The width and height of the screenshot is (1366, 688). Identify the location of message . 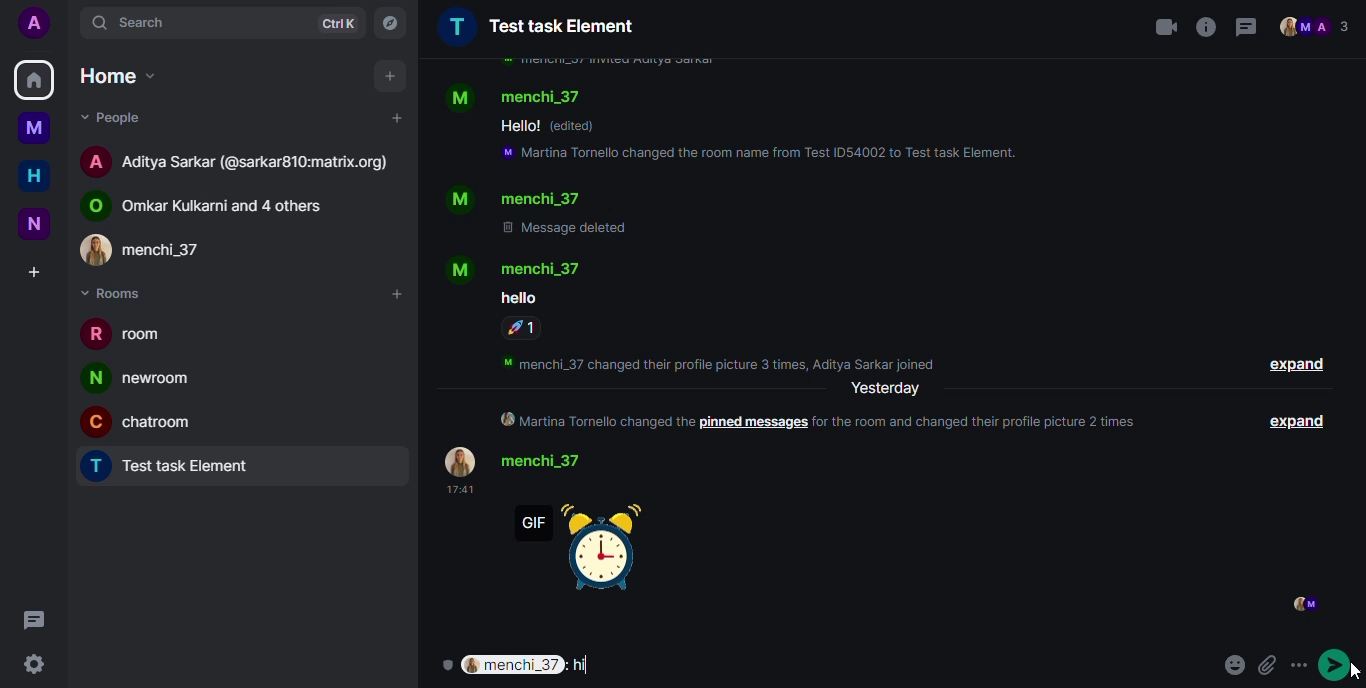
(580, 664).